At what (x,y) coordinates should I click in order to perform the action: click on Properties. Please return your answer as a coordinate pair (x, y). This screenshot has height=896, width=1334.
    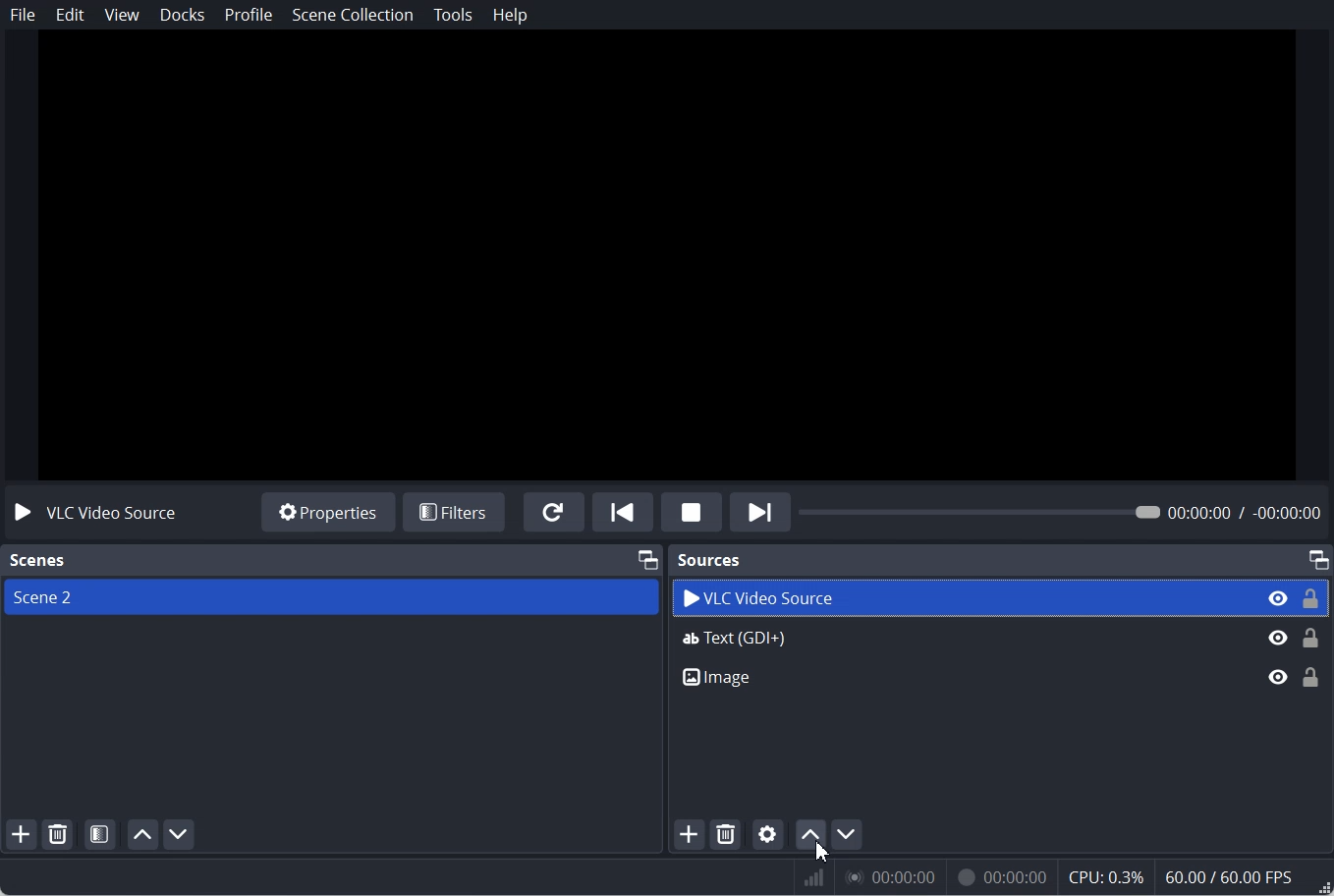
    Looking at the image, I should click on (328, 513).